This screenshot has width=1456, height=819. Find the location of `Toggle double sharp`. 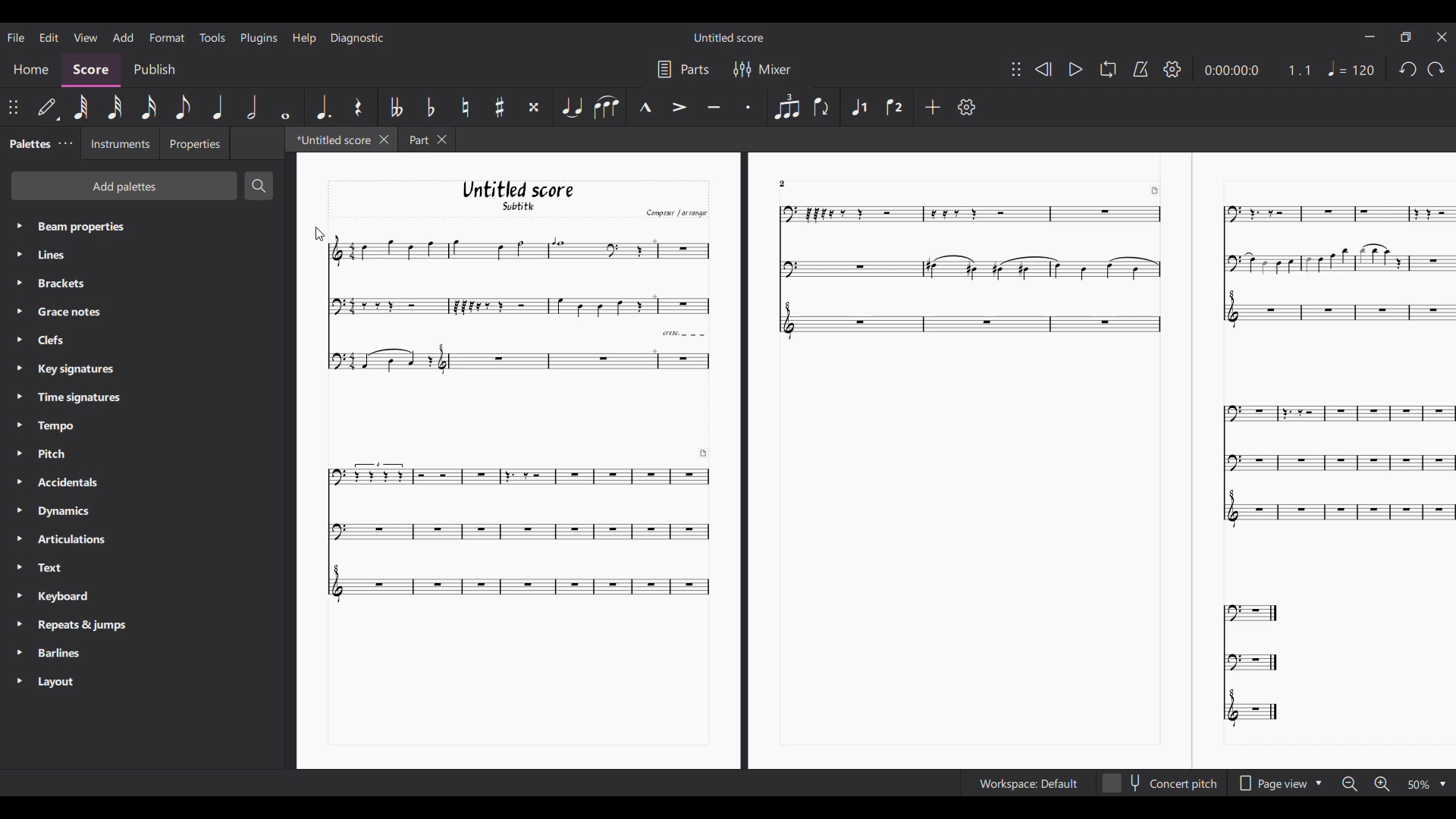

Toggle double sharp is located at coordinates (533, 106).